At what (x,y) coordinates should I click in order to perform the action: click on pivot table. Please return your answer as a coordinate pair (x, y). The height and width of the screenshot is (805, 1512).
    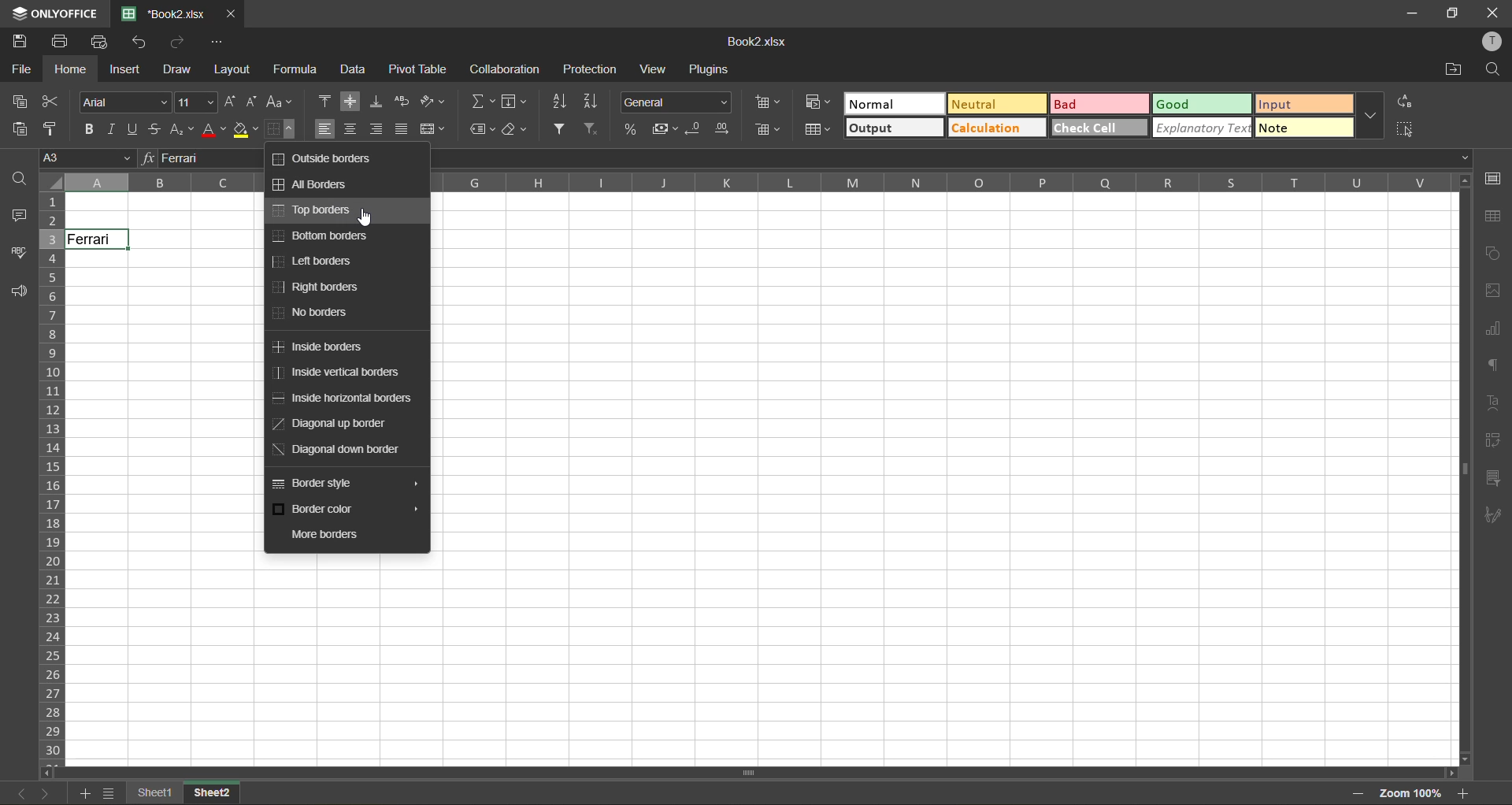
    Looking at the image, I should click on (1494, 440).